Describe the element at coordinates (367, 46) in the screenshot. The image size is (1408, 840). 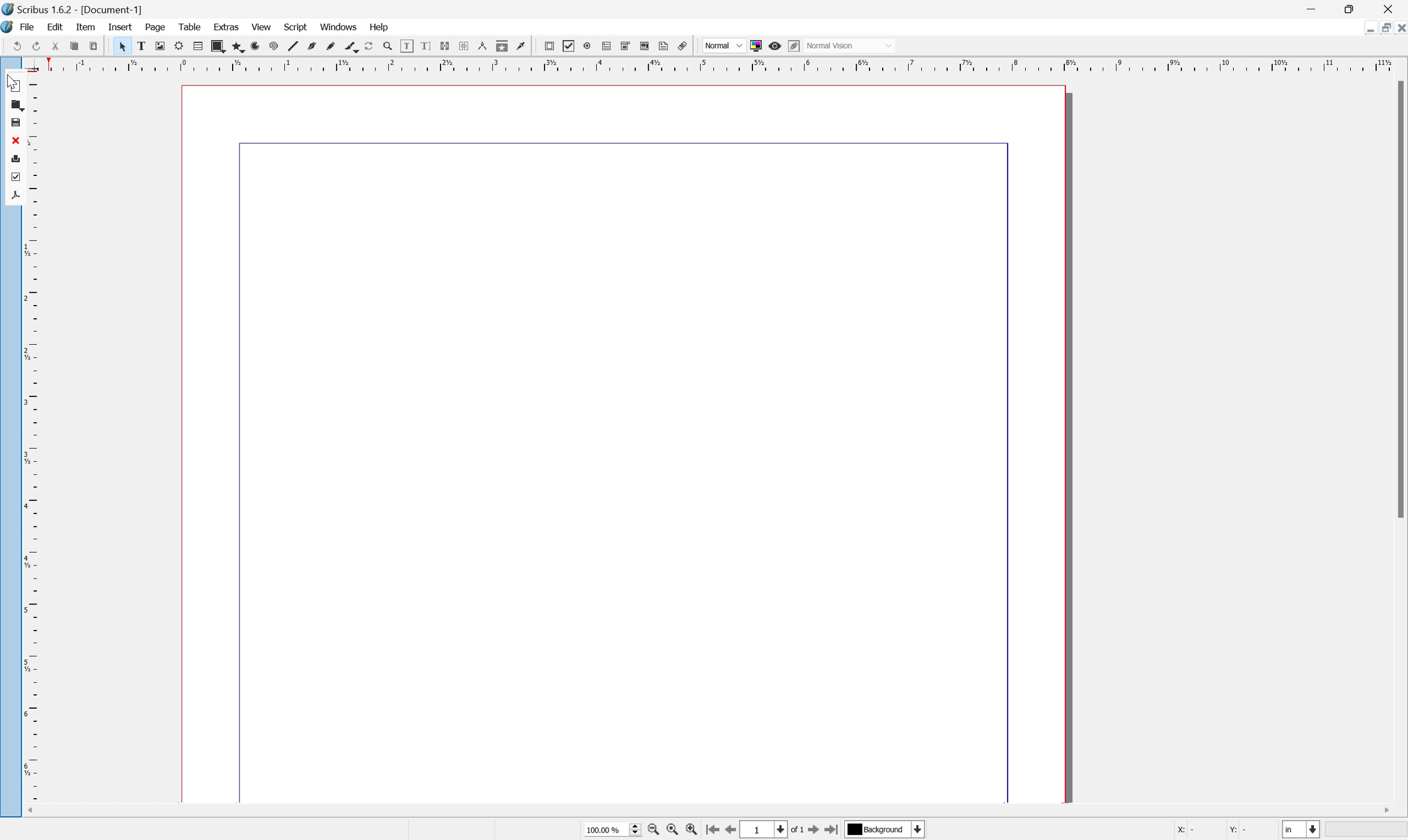
I see `polygon` at that location.